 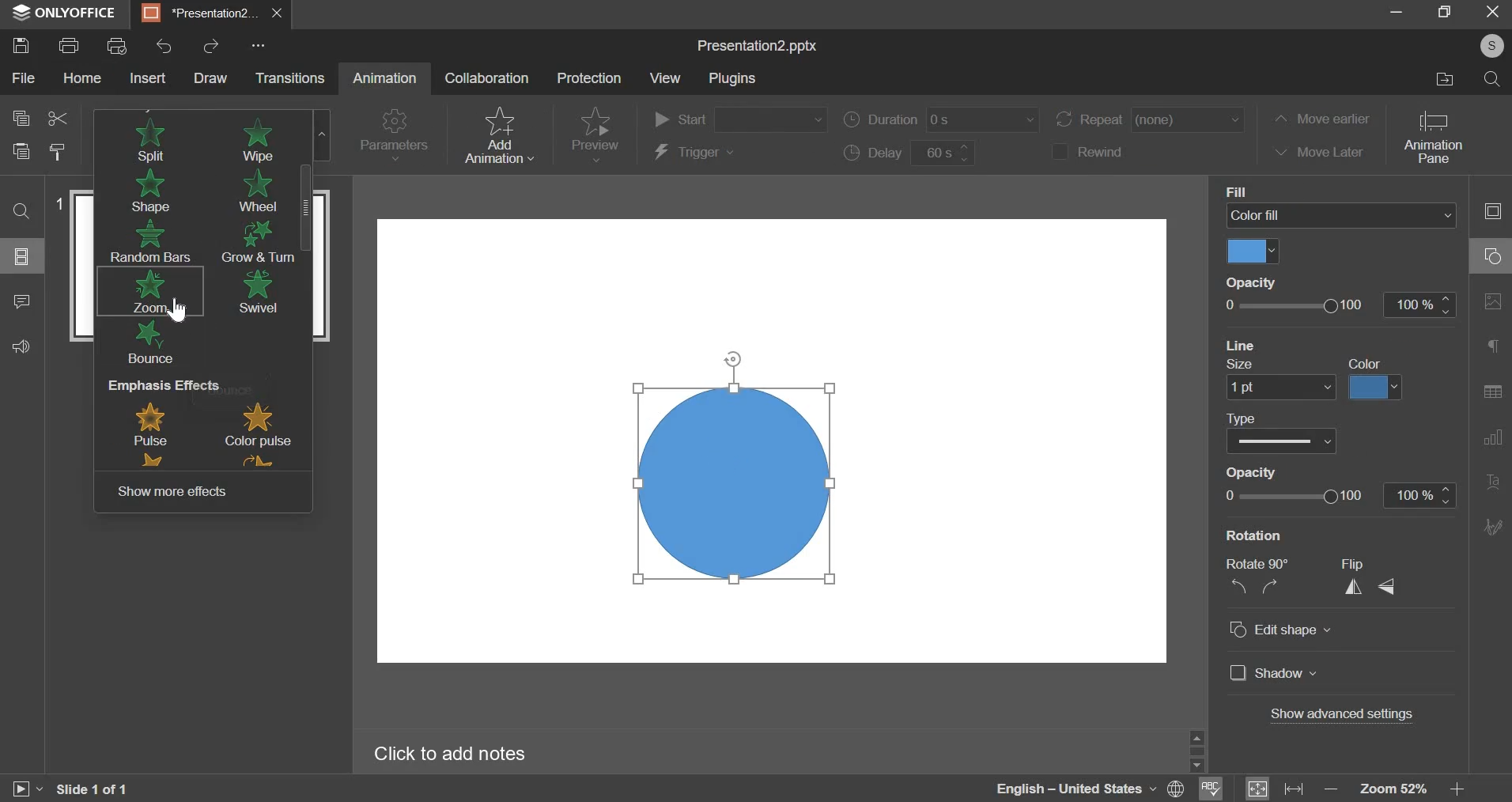 I want to click on show date and time, so click(x=1293, y=471).